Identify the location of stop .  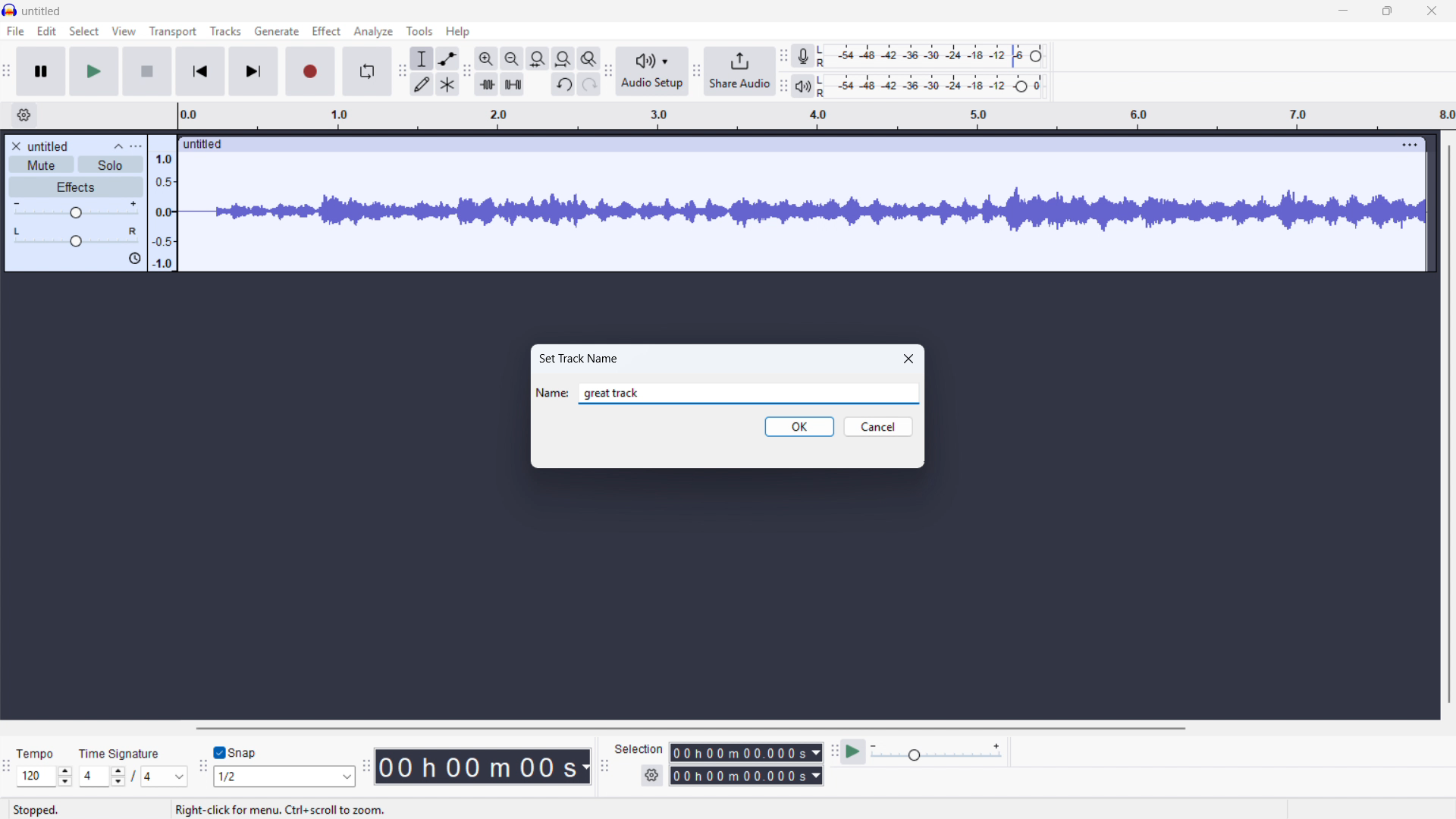
(147, 72).